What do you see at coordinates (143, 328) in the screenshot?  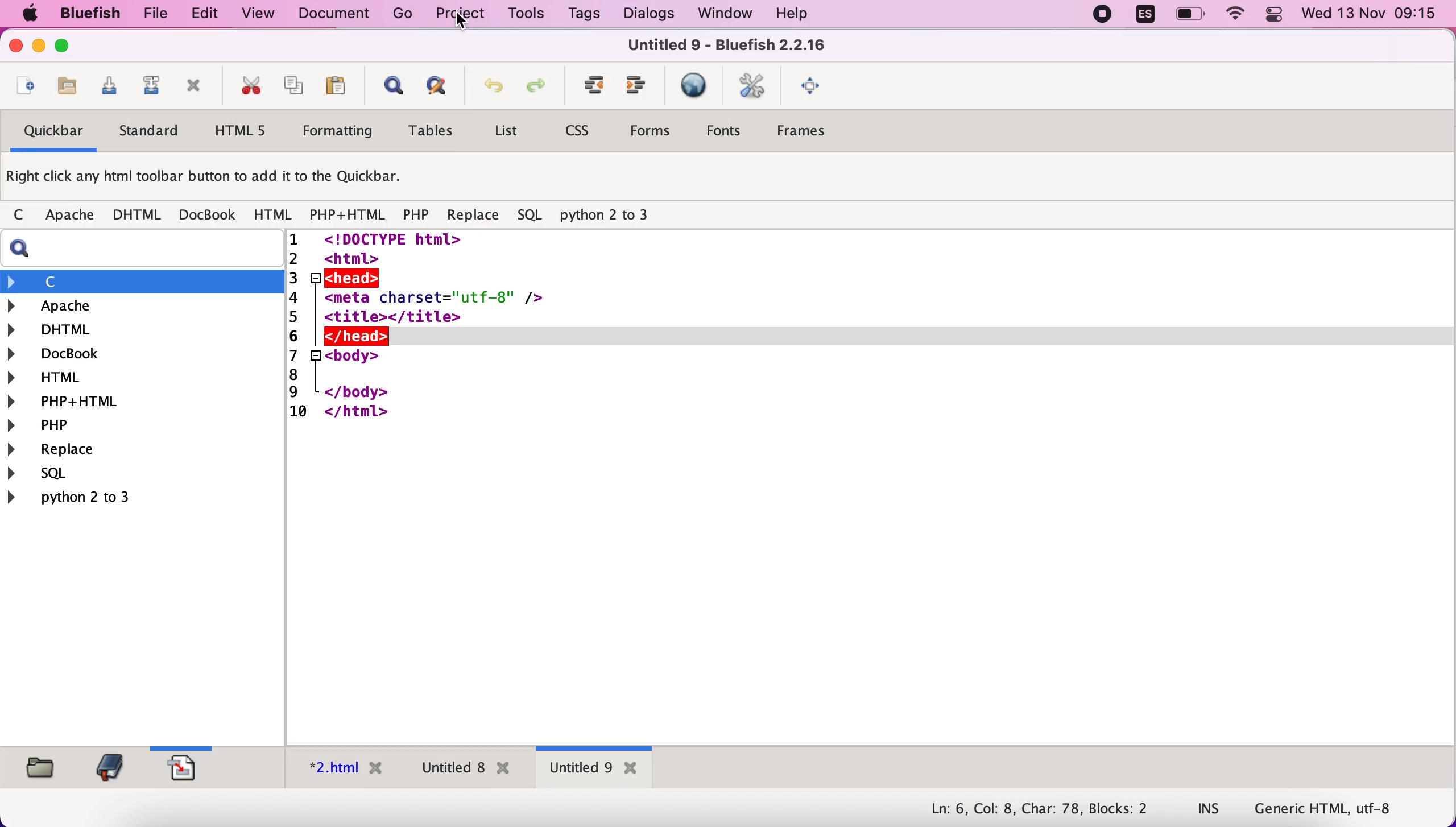 I see `dhtml` at bounding box center [143, 328].